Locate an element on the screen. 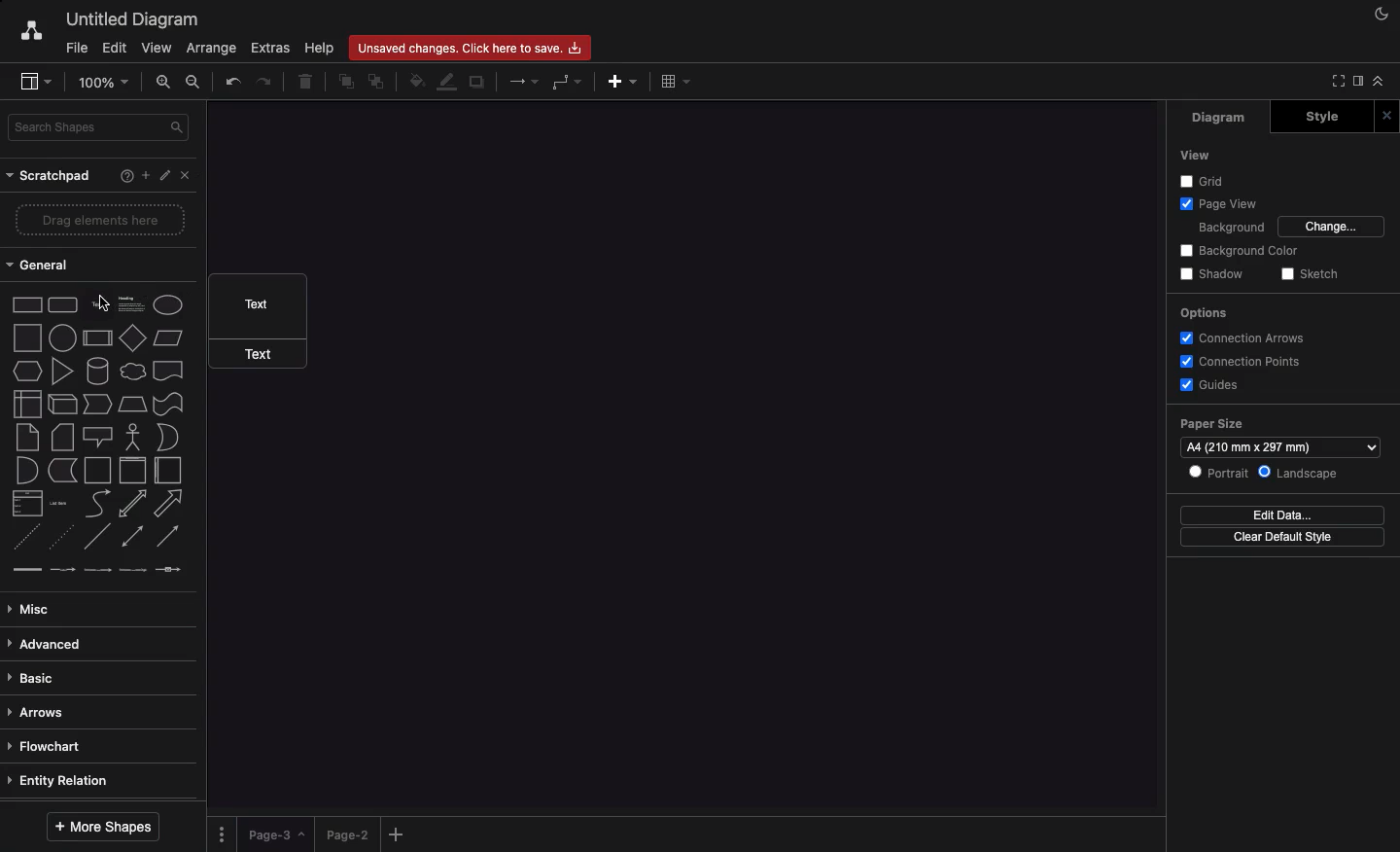  connector with 2 labels is located at coordinates (97, 570).